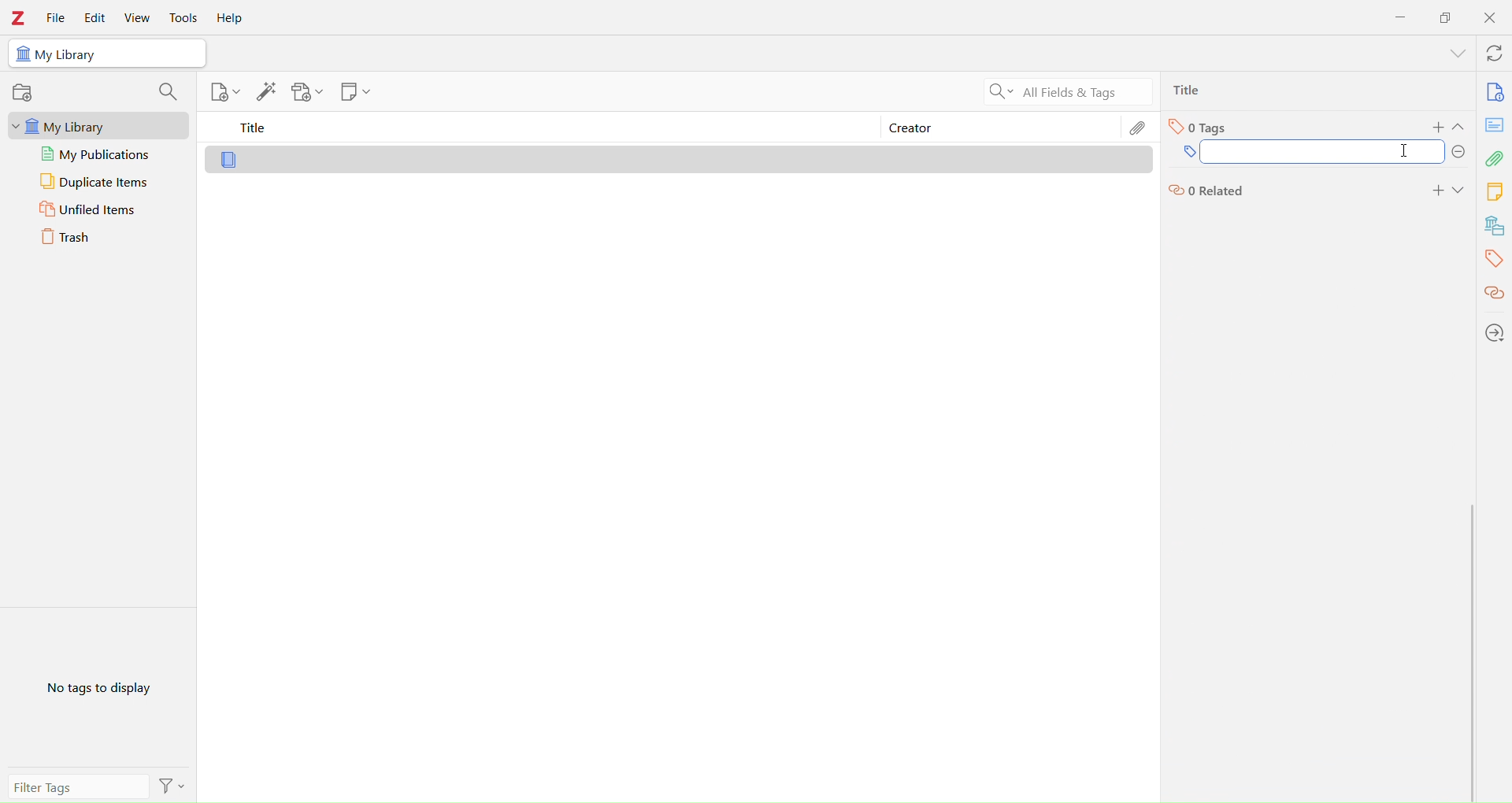 The width and height of the screenshot is (1512, 803). Describe the element at coordinates (1406, 17) in the screenshot. I see `` at that location.